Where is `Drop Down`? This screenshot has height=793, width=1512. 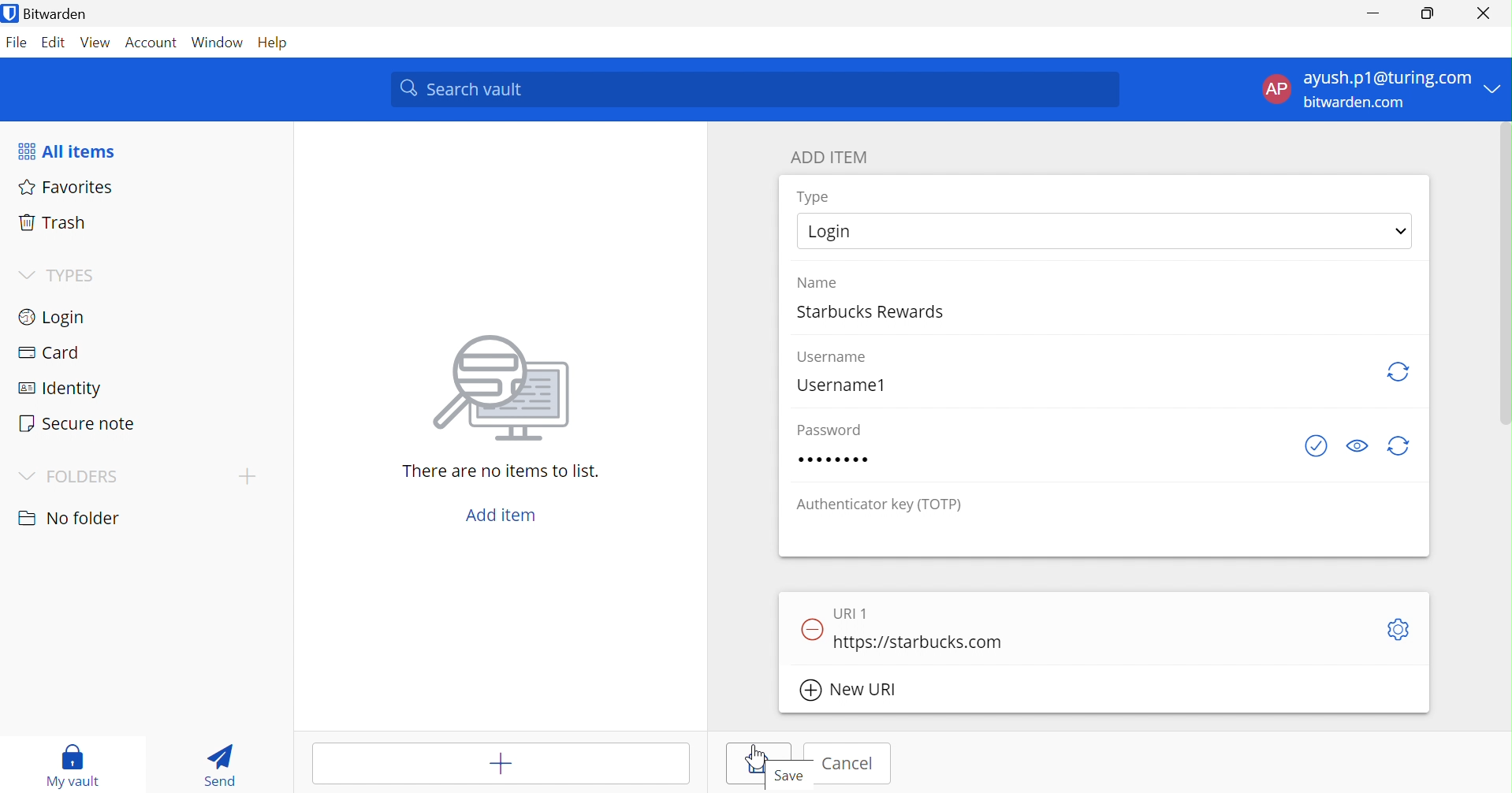
Drop Down is located at coordinates (1403, 232).